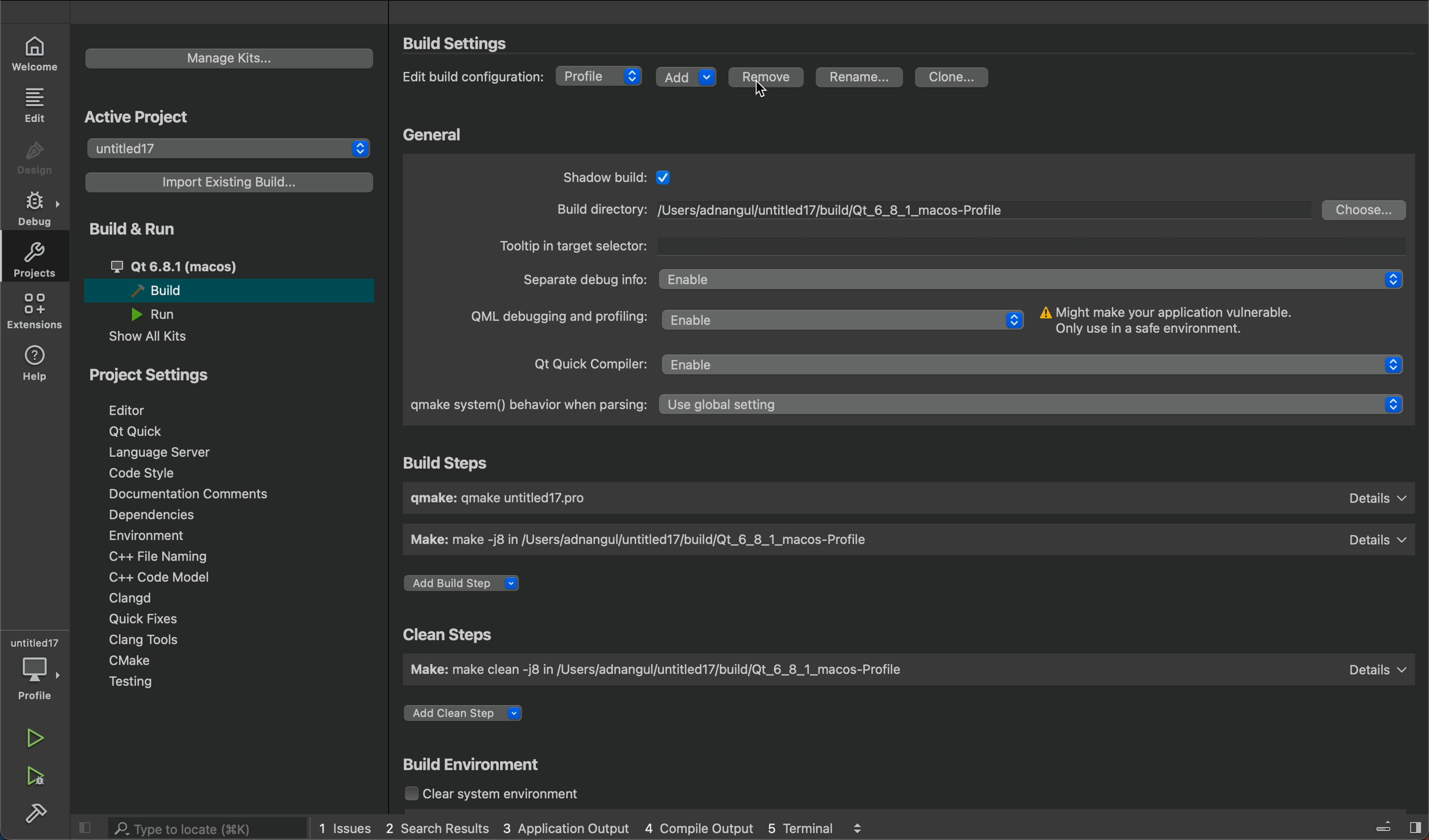 The height and width of the screenshot is (840, 1429). I want to click on language server, so click(166, 452).